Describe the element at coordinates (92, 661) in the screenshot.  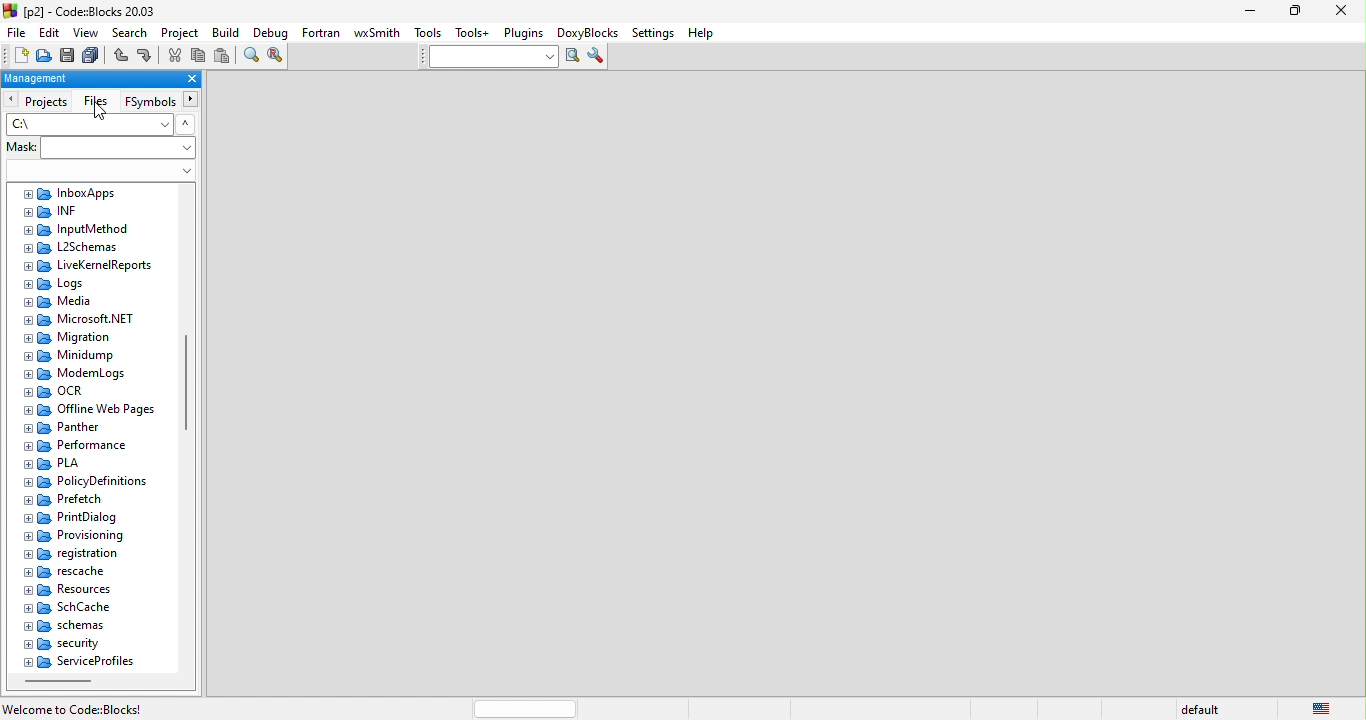
I see `service profiles` at that location.